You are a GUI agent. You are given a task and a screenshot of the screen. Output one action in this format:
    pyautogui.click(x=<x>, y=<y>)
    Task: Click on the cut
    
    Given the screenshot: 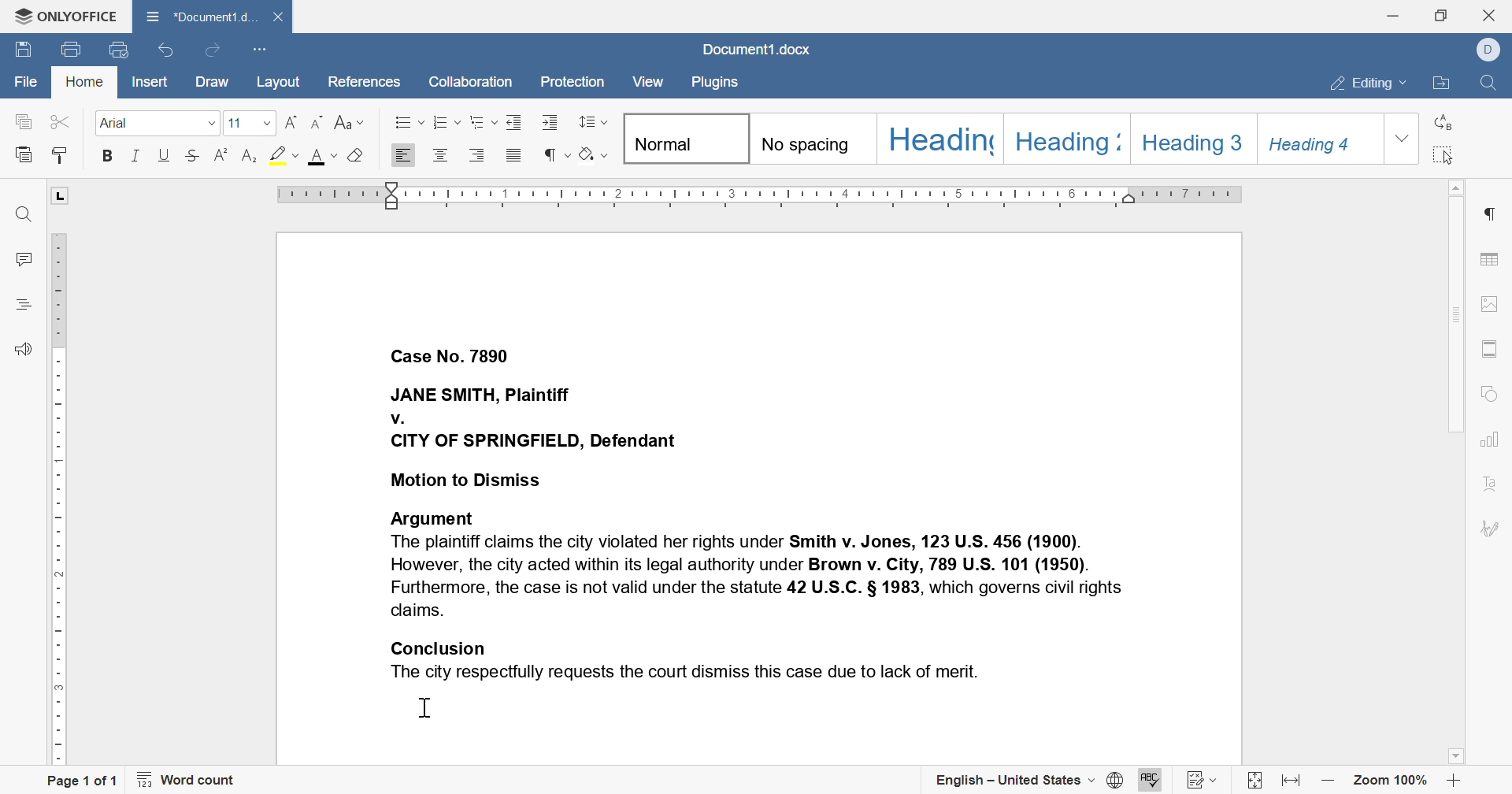 What is the action you would take?
    pyautogui.click(x=59, y=121)
    